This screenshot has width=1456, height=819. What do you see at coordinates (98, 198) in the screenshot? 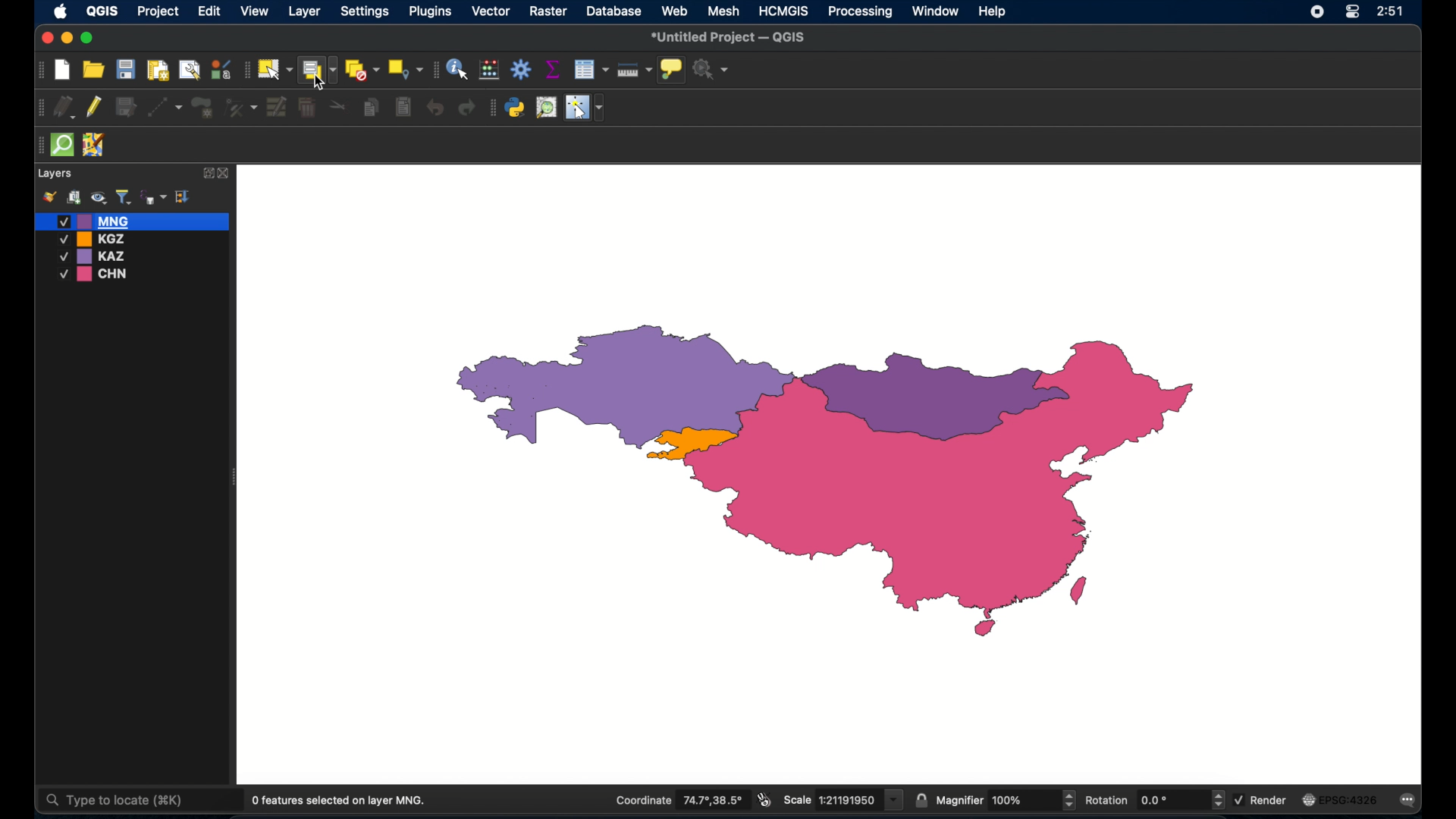
I see `manage map theme` at bounding box center [98, 198].